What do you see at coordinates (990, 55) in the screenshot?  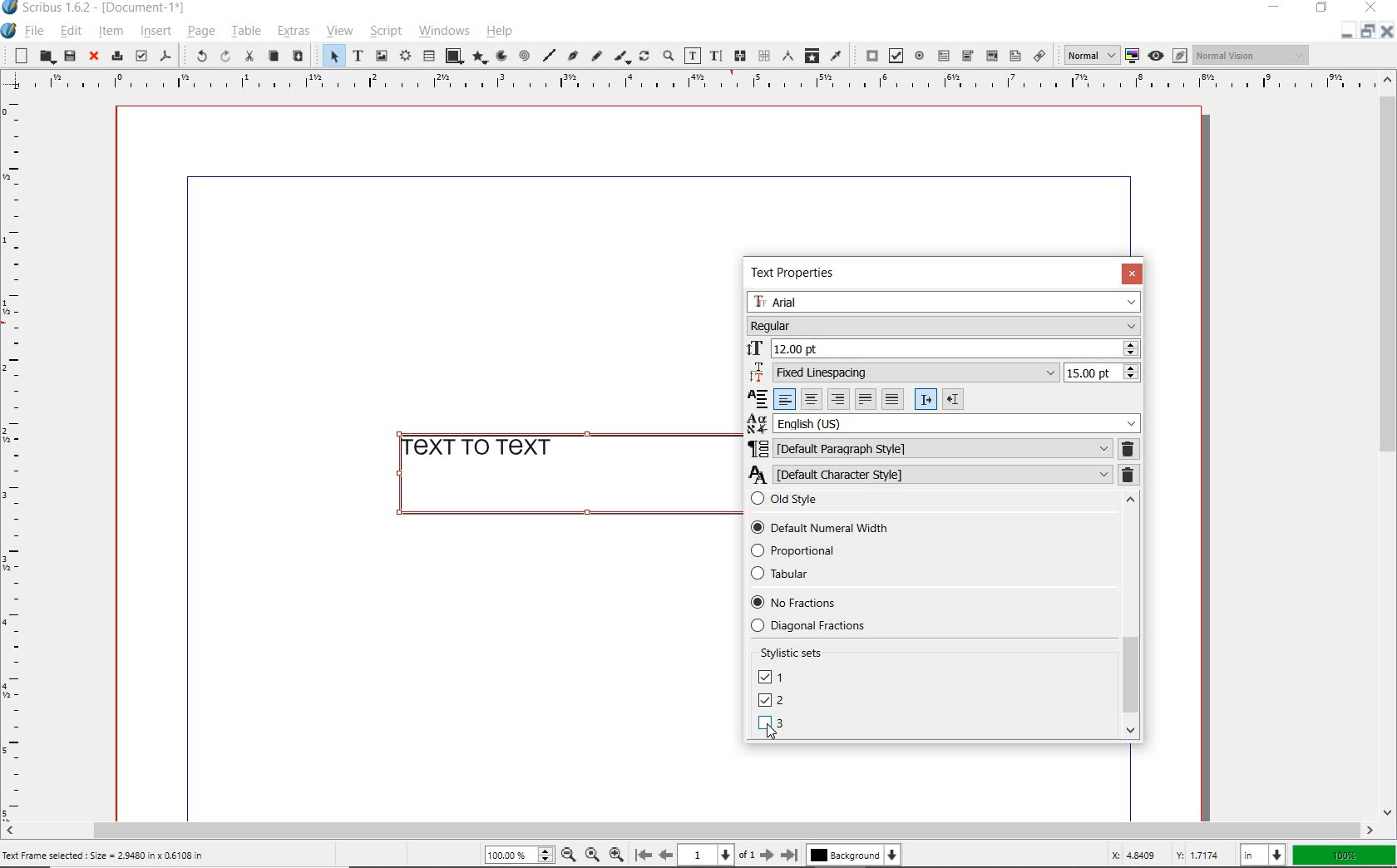 I see `pdf list box` at bounding box center [990, 55].